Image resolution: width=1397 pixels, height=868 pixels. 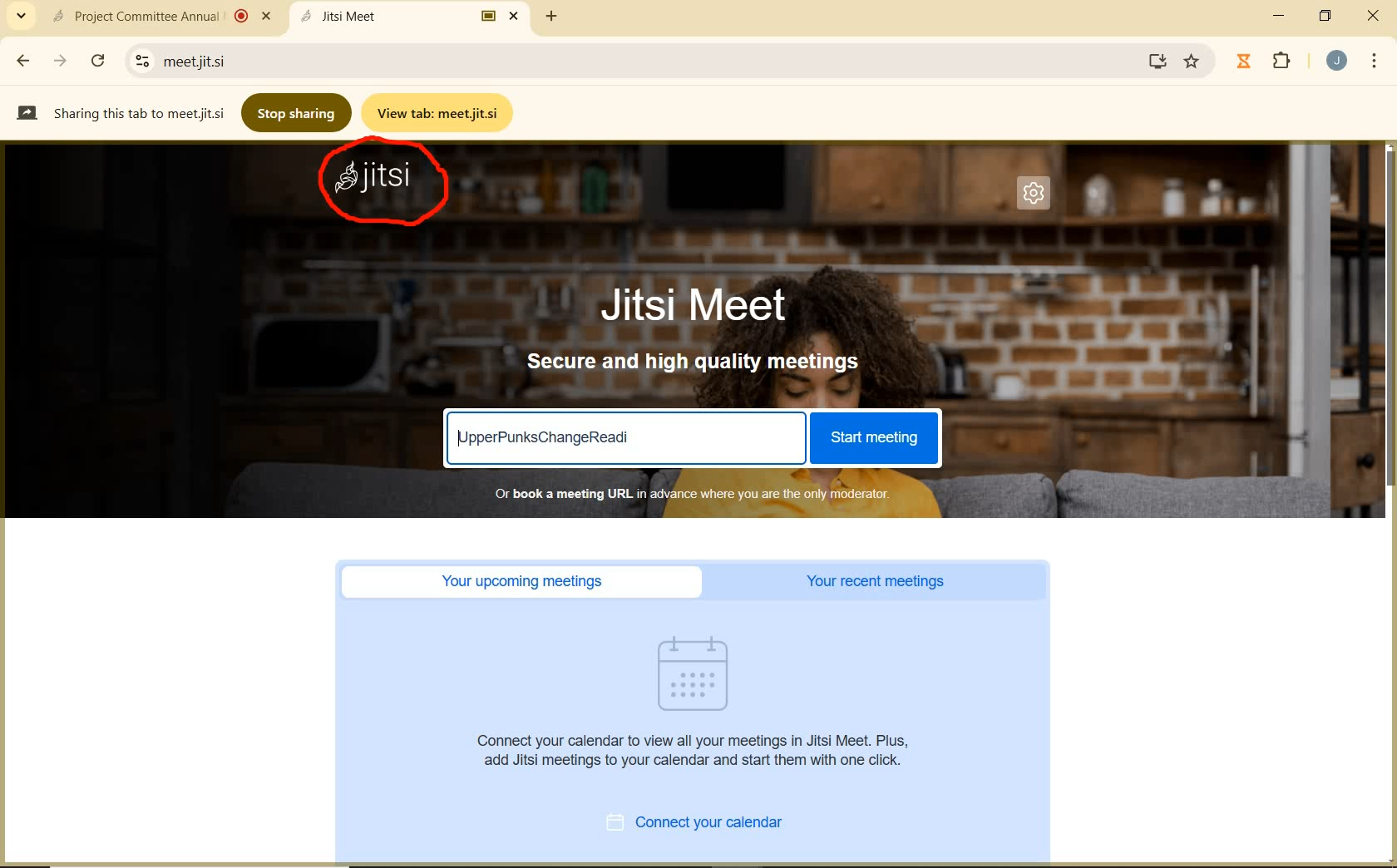 I want to click on Connect your calendar to view all your meetings in Jitsi Meet. Plus,
add Jitsi meetings to your calendar and start them with one click., so click(x=698, y=750).